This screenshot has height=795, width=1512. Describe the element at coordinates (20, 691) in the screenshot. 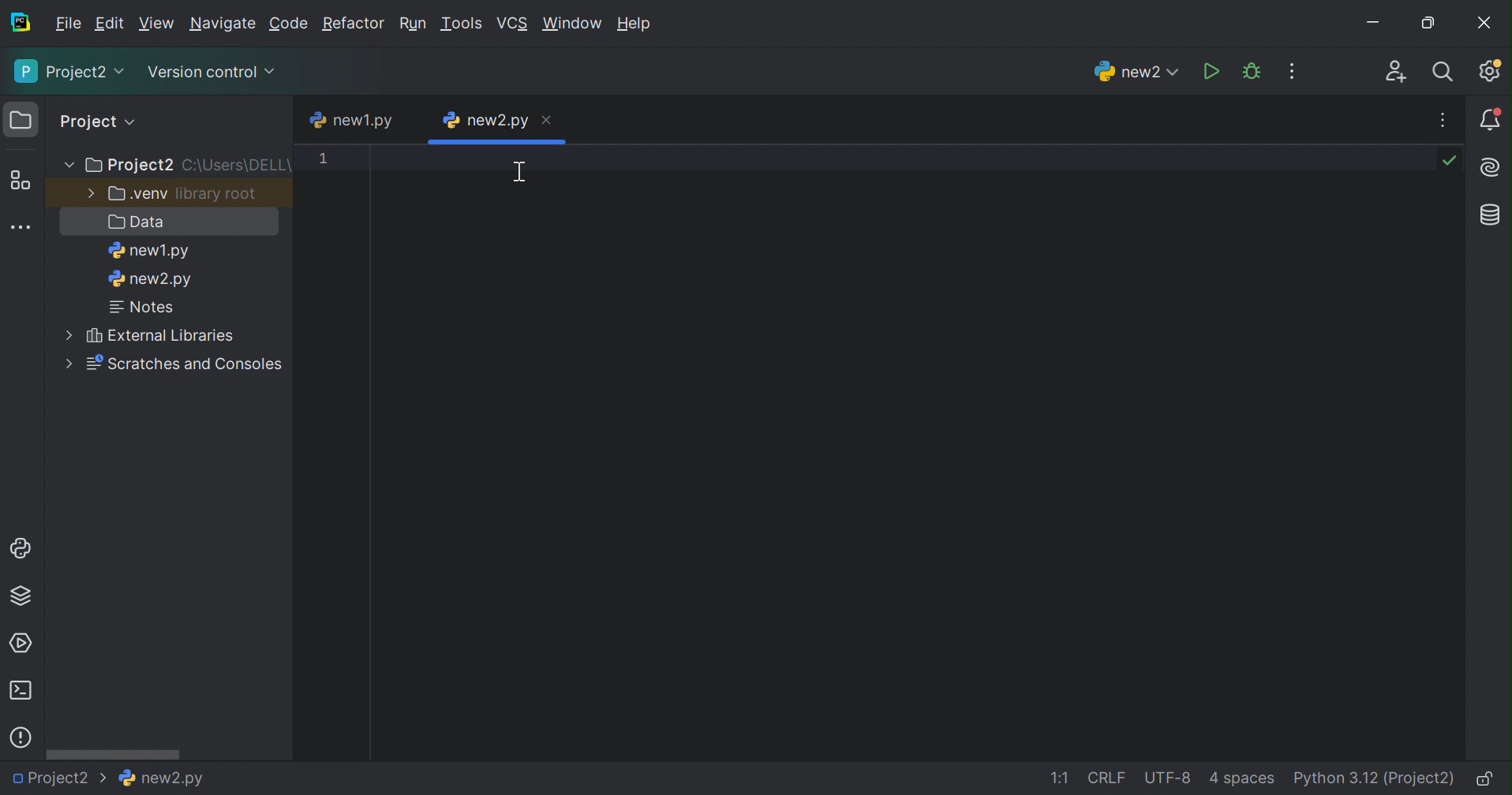

I see `Terminal` at that location.